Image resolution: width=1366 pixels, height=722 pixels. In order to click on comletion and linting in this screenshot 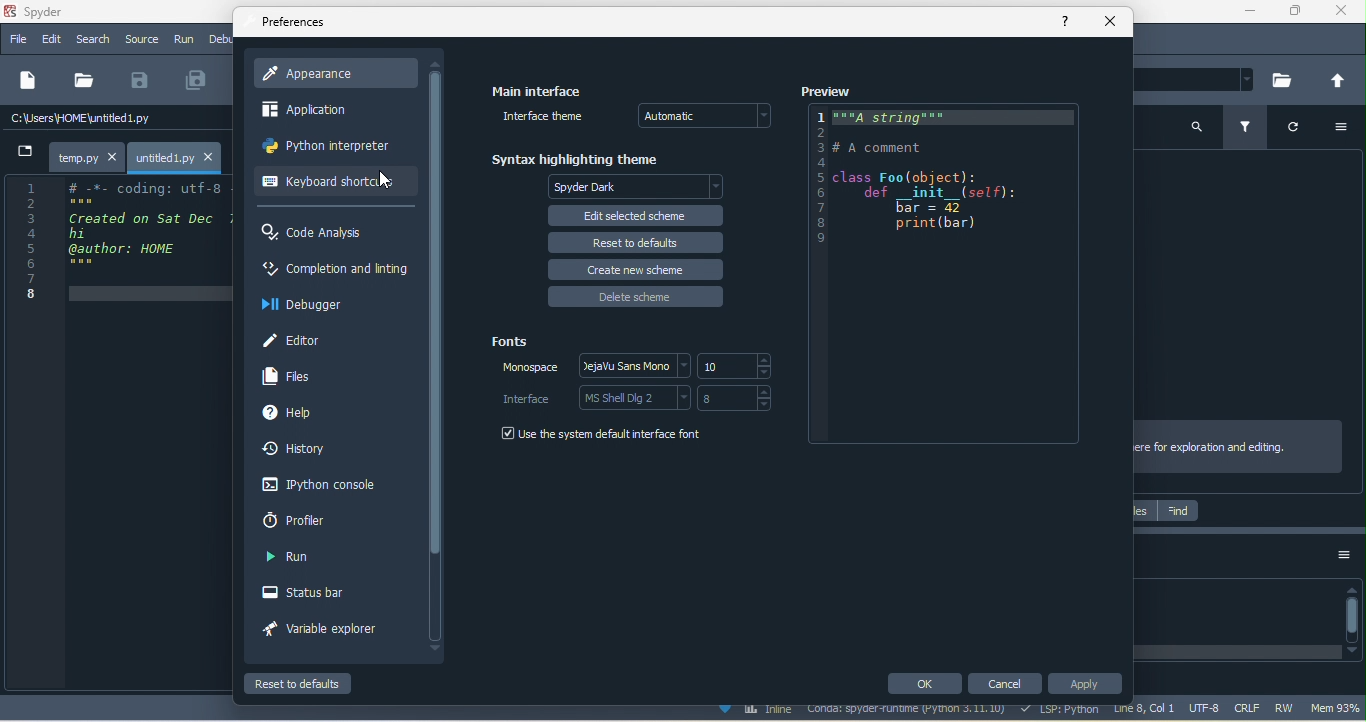, I will do `click(334, 271)`.